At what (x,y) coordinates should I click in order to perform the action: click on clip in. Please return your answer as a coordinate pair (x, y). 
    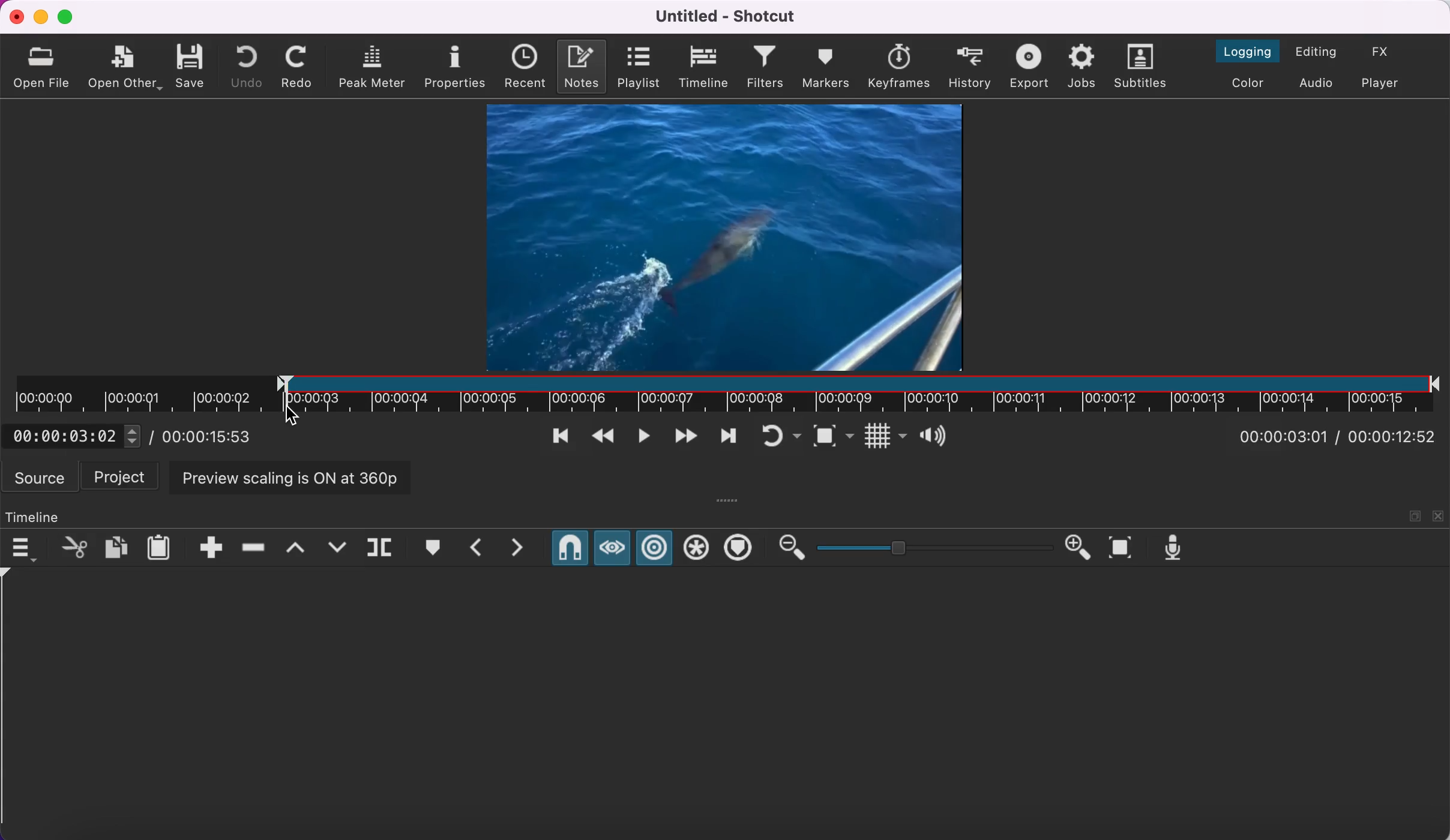
    Looking at the image, I should click on (863, 394).